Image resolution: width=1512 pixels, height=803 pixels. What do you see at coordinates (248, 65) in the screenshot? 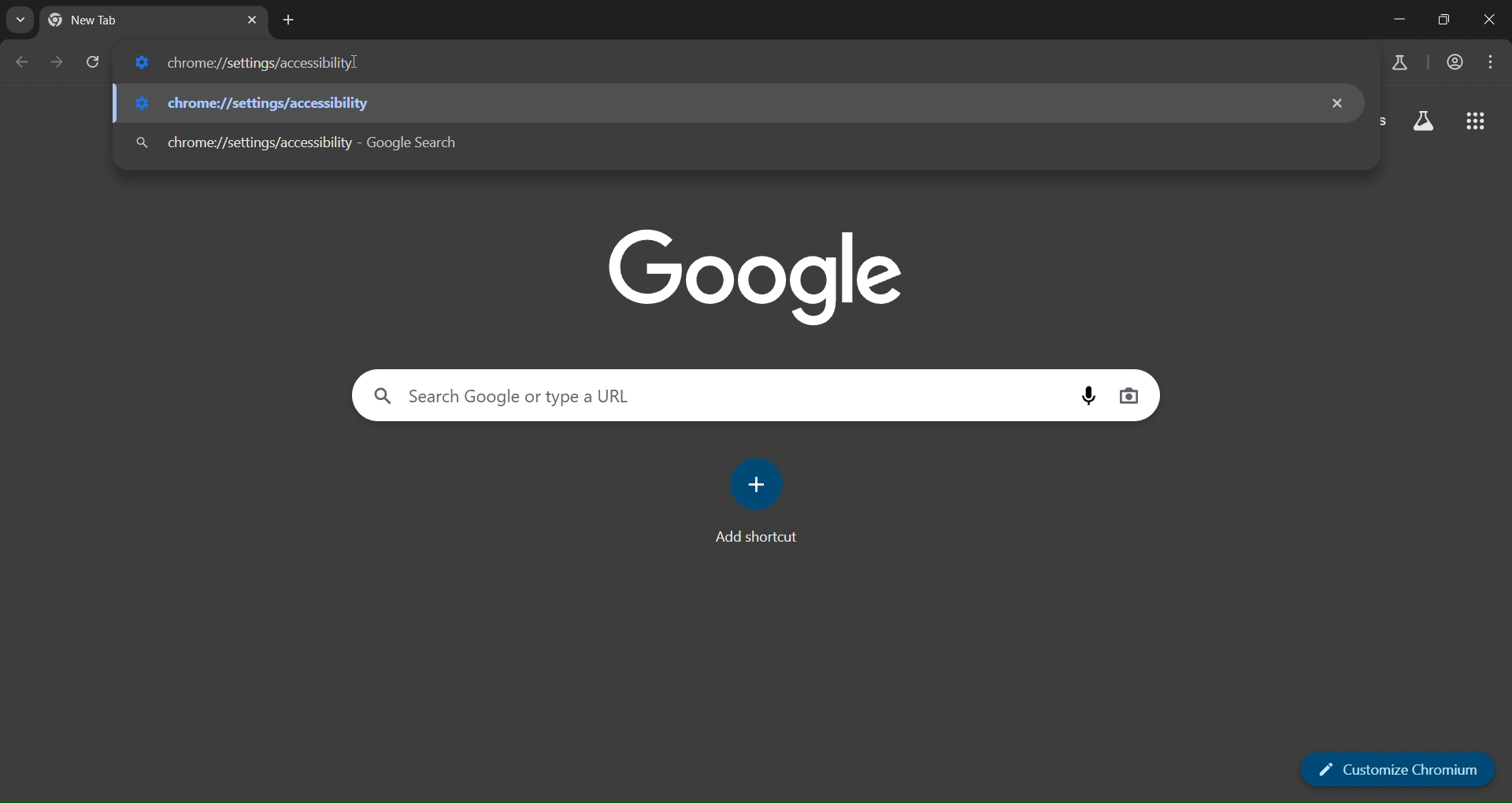
I see `chrome://settings/accessibility]` at bounding box center [248, 65].